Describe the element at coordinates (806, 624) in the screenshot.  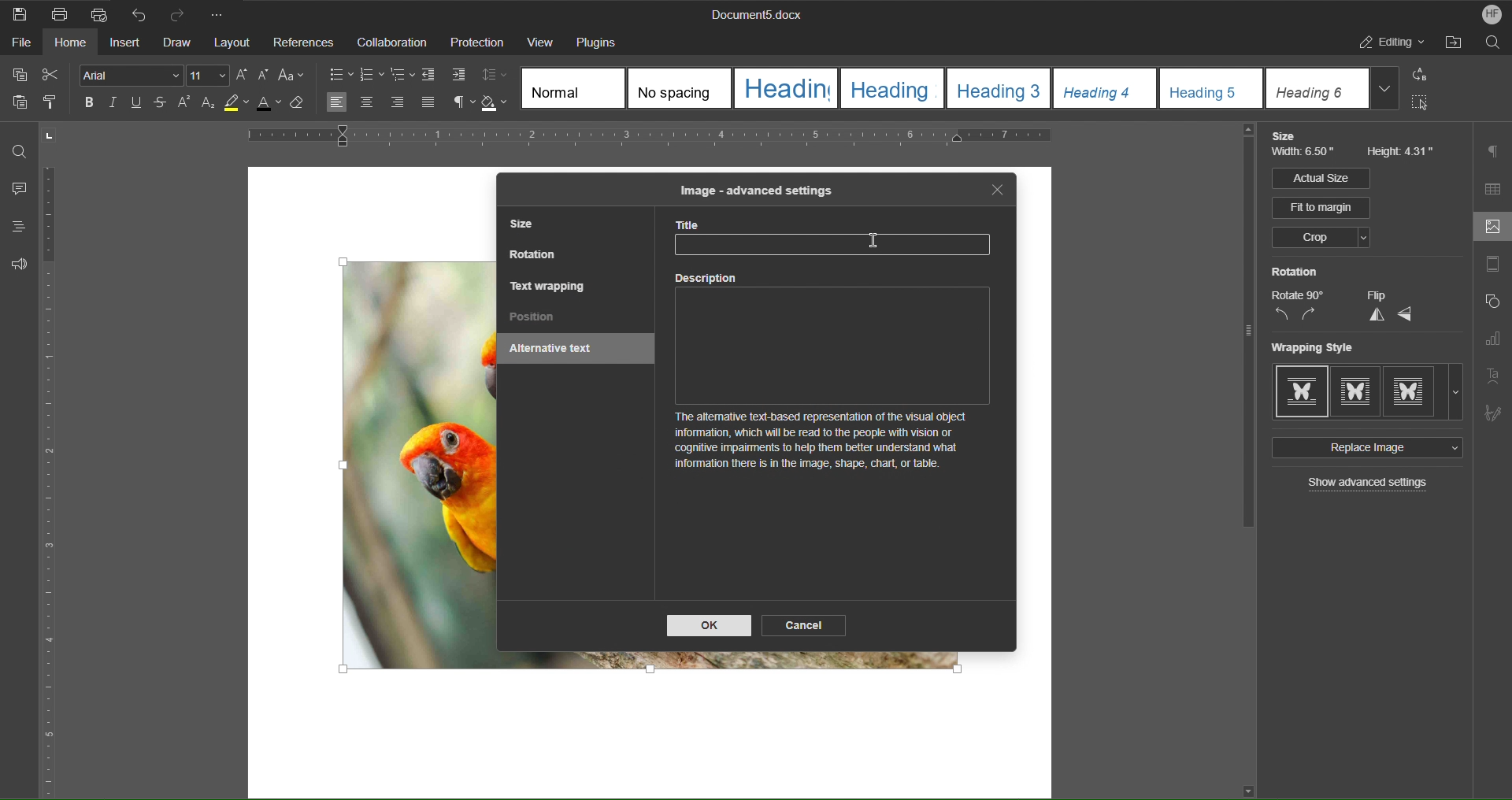
I see `Cancel` at that location.